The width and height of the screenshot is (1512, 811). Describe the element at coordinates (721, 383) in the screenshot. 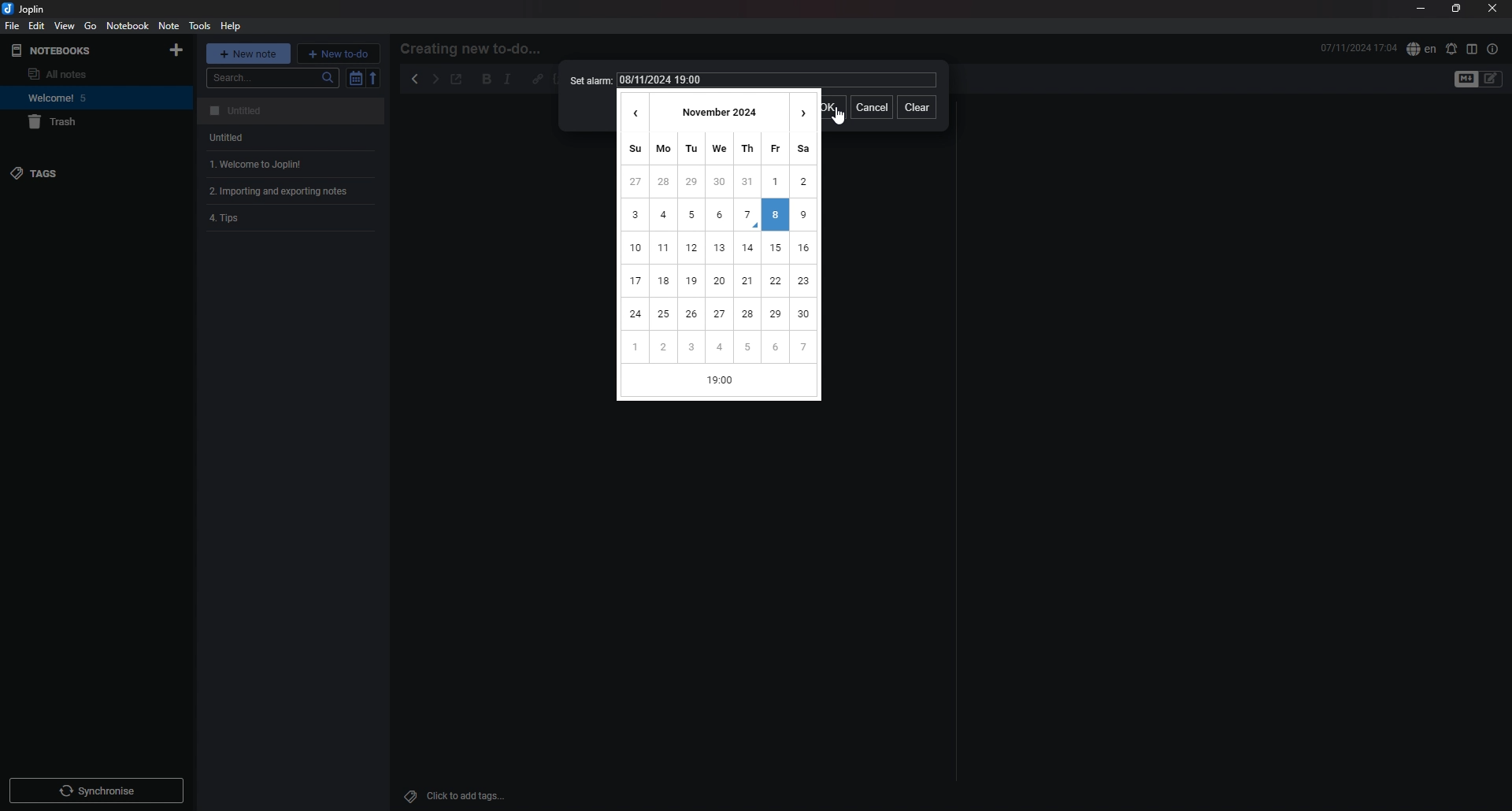

I see `time selection` at that location.